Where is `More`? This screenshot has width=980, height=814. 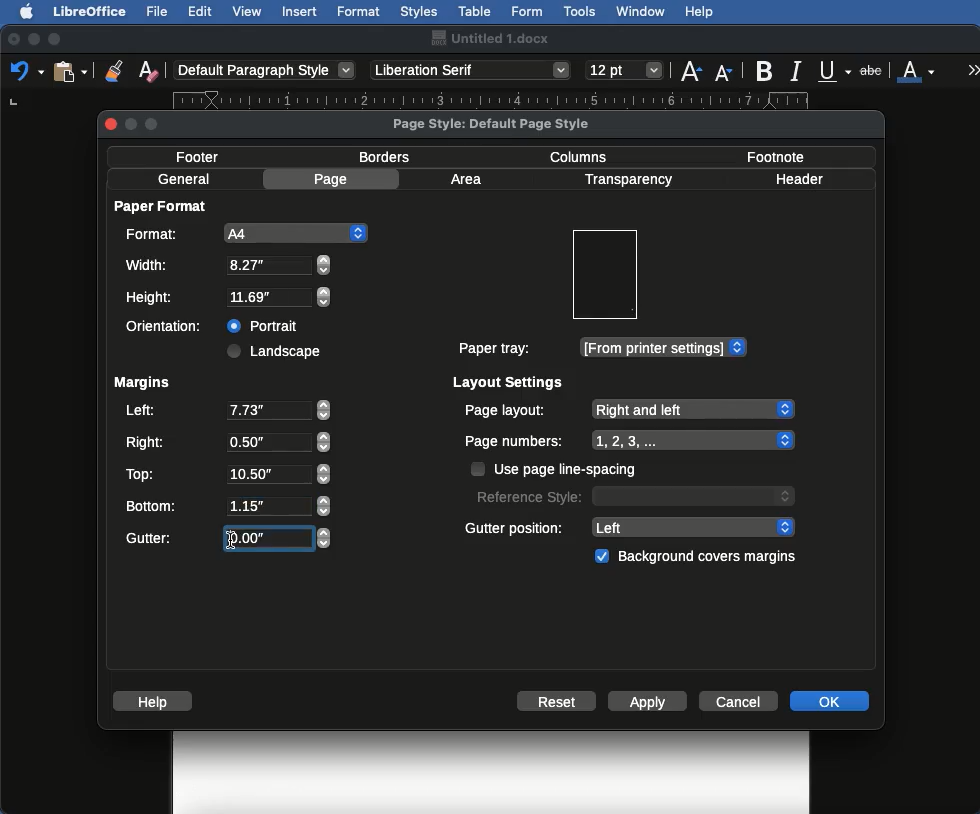 More is located at coordinates (974, 69).